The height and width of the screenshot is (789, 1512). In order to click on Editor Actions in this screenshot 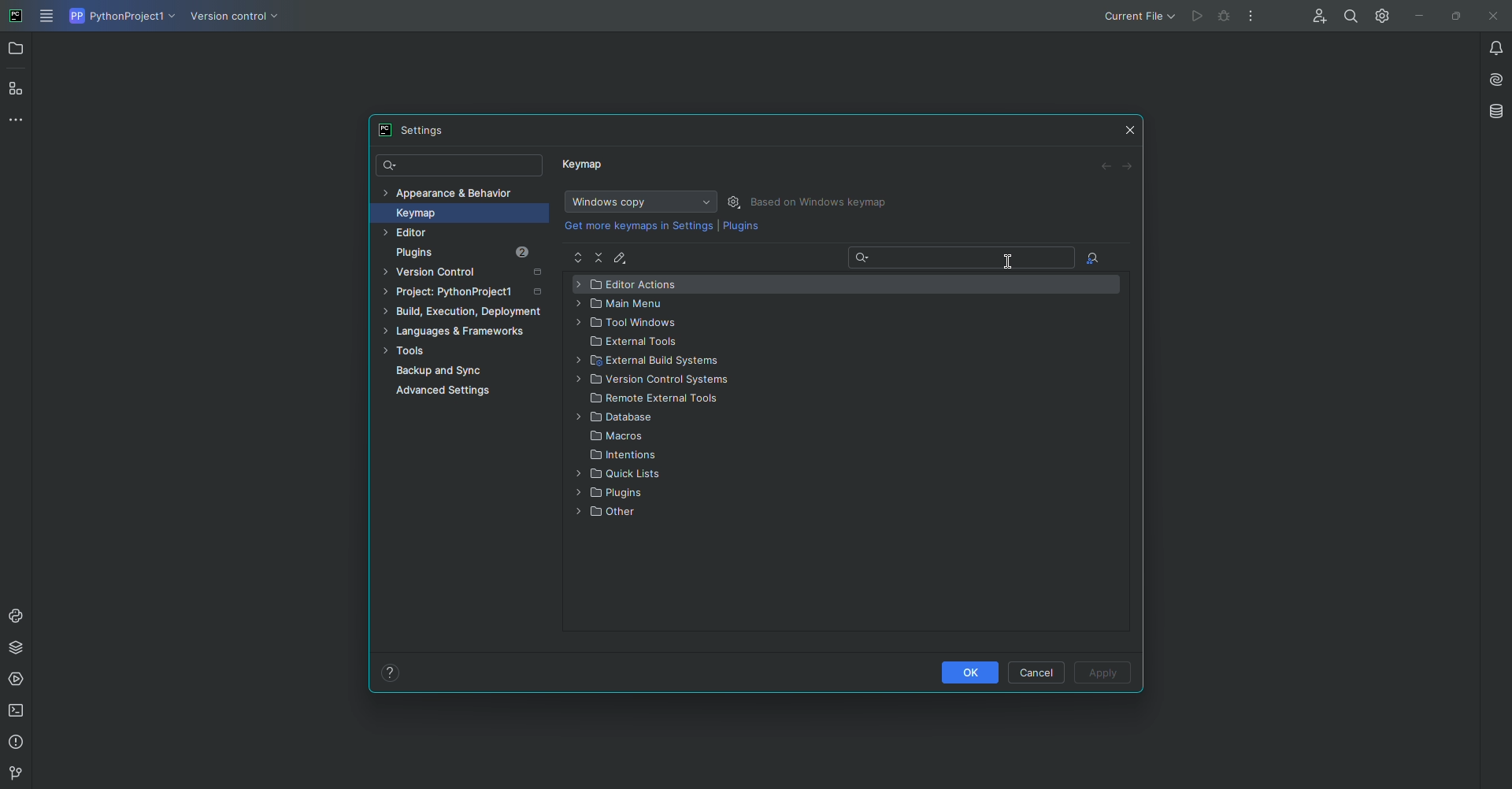, I will do `click(632, 285)`.